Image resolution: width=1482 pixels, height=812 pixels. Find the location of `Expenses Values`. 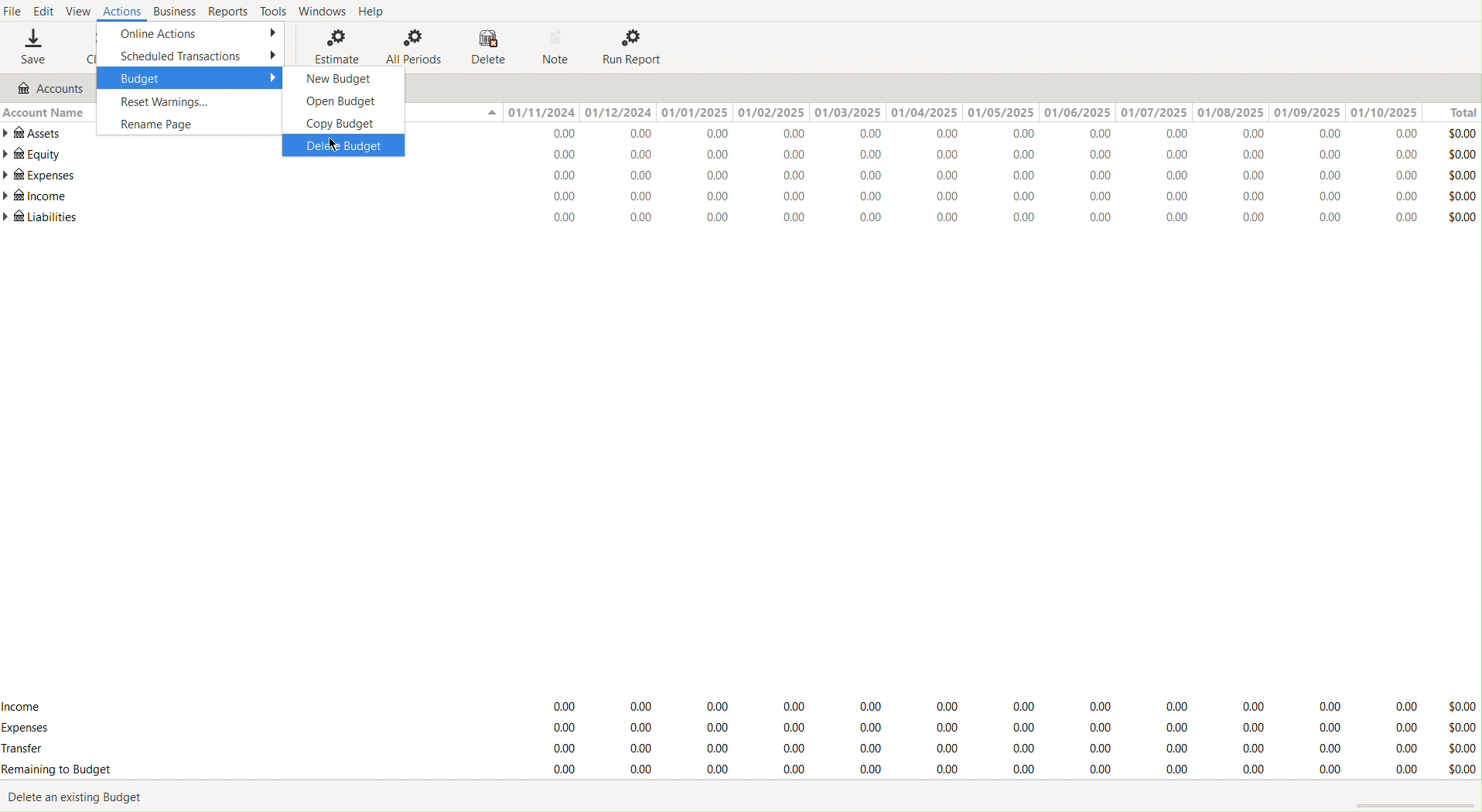

Expenses Values is located at coordinates (985, 178).